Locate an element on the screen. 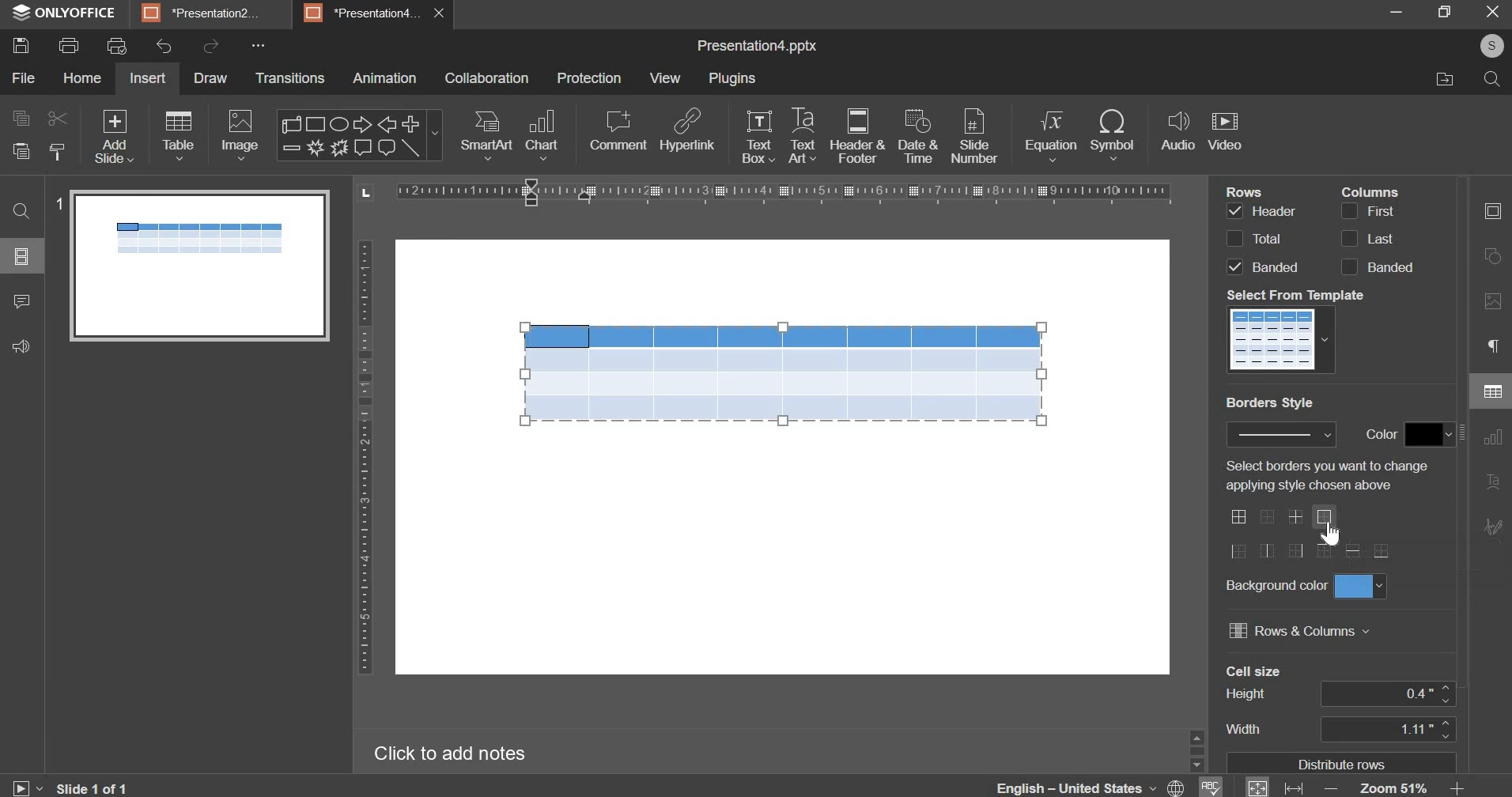 The width and height of the screenshot is (1512, 797). insert is located at coordinates (146, 78).